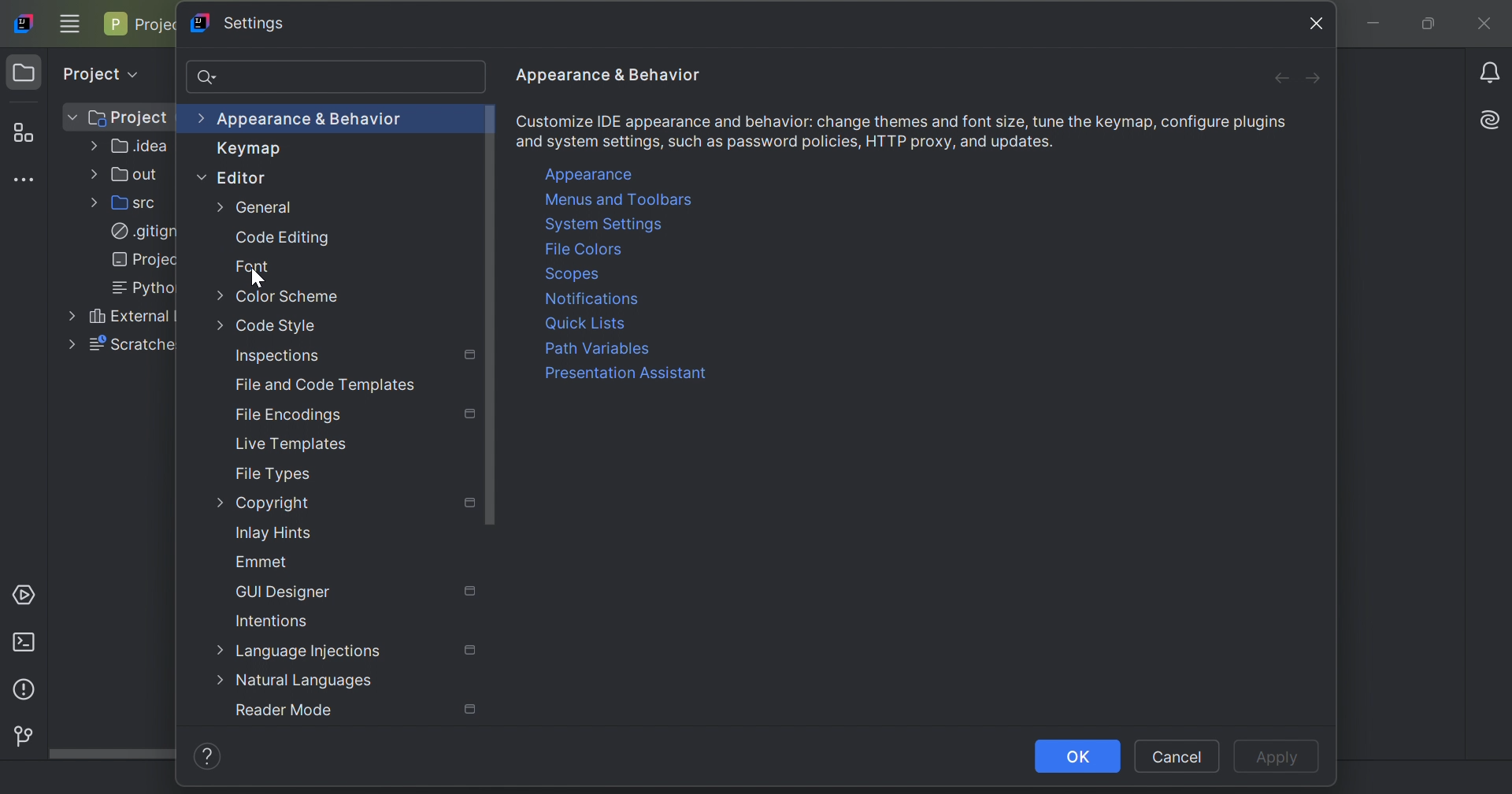 The image size is (1512, 794). I want to click on Settings, so click(249, 24).